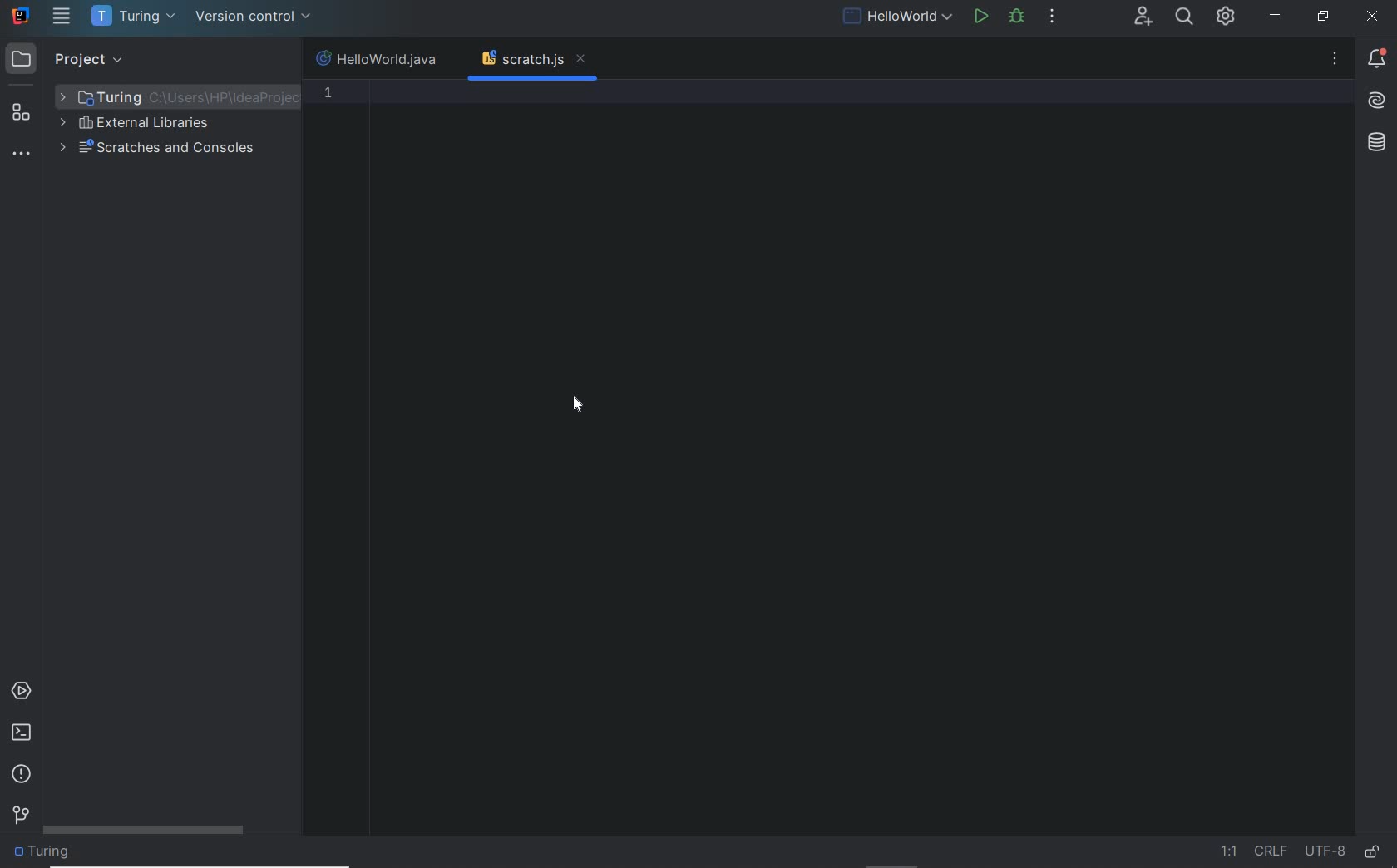 This screenshot has height=868, width=1397. Describe the element at coordinates (521, 60) in the screenshot. I see `scratch` at that location.